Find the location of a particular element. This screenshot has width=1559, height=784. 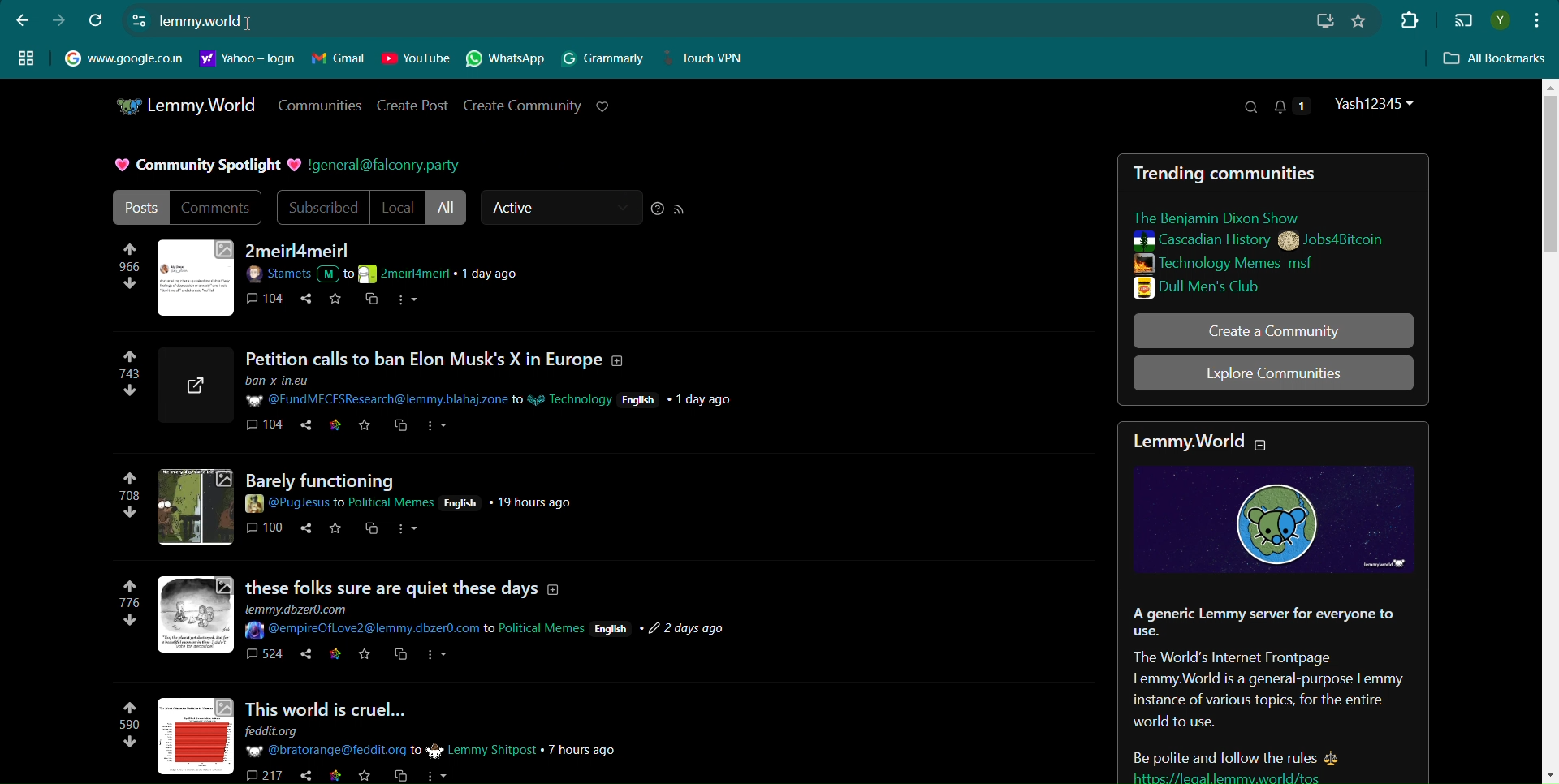

966 is located at coordinates (129, 272).